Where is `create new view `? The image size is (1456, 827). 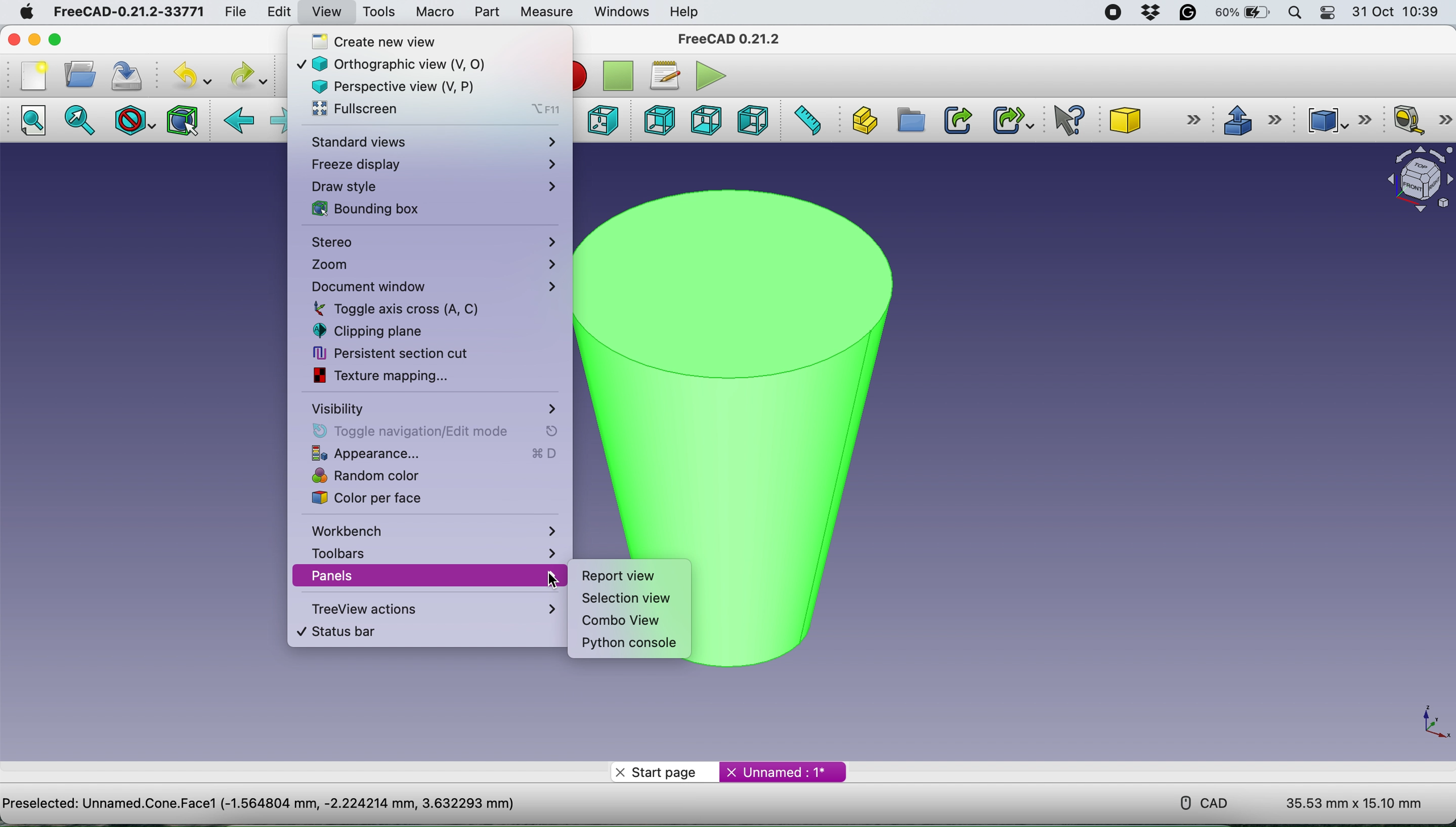
create new view  is located at coordinates (423, 41).